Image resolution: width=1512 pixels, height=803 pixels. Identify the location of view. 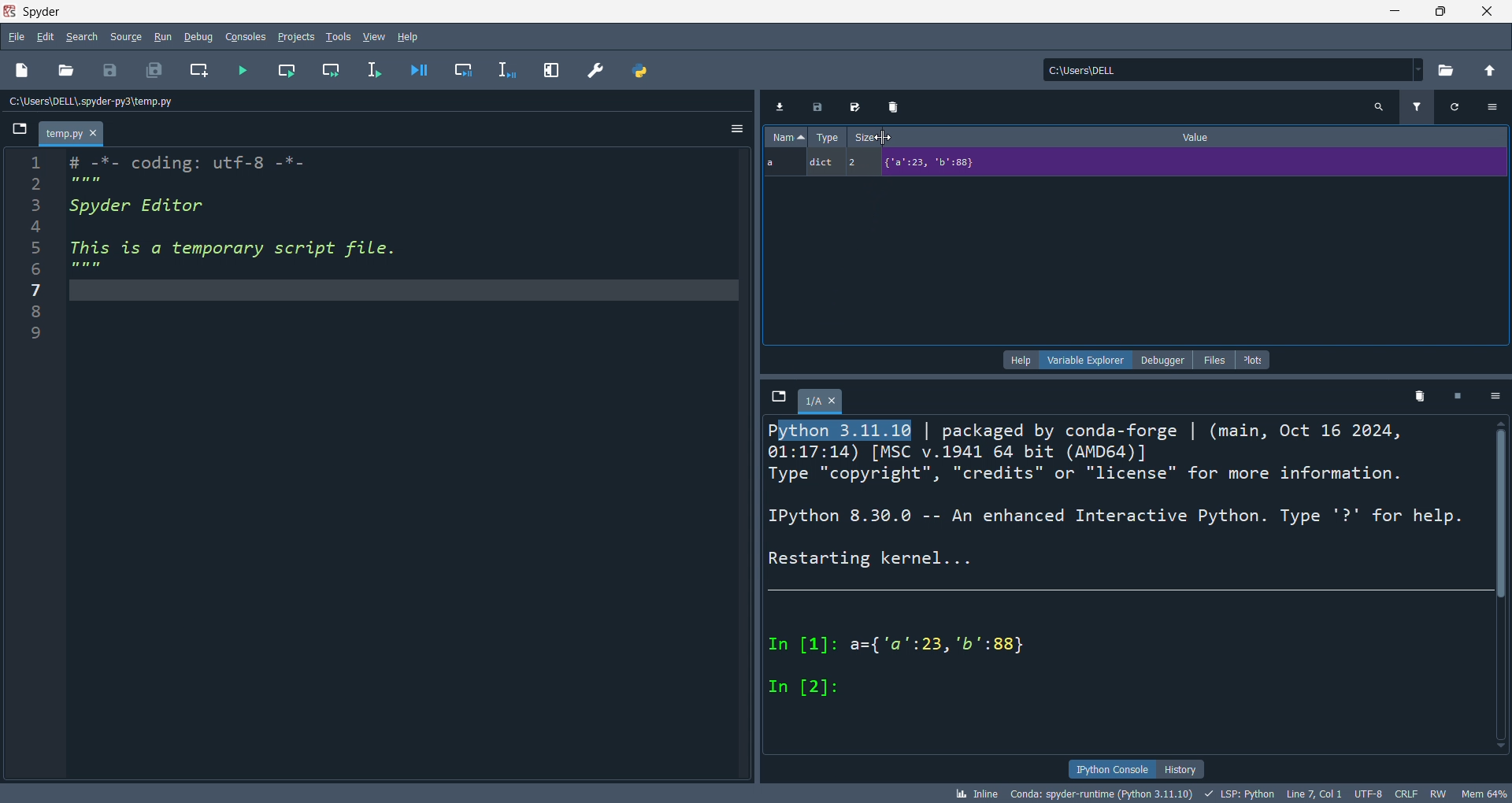
(372, 35).